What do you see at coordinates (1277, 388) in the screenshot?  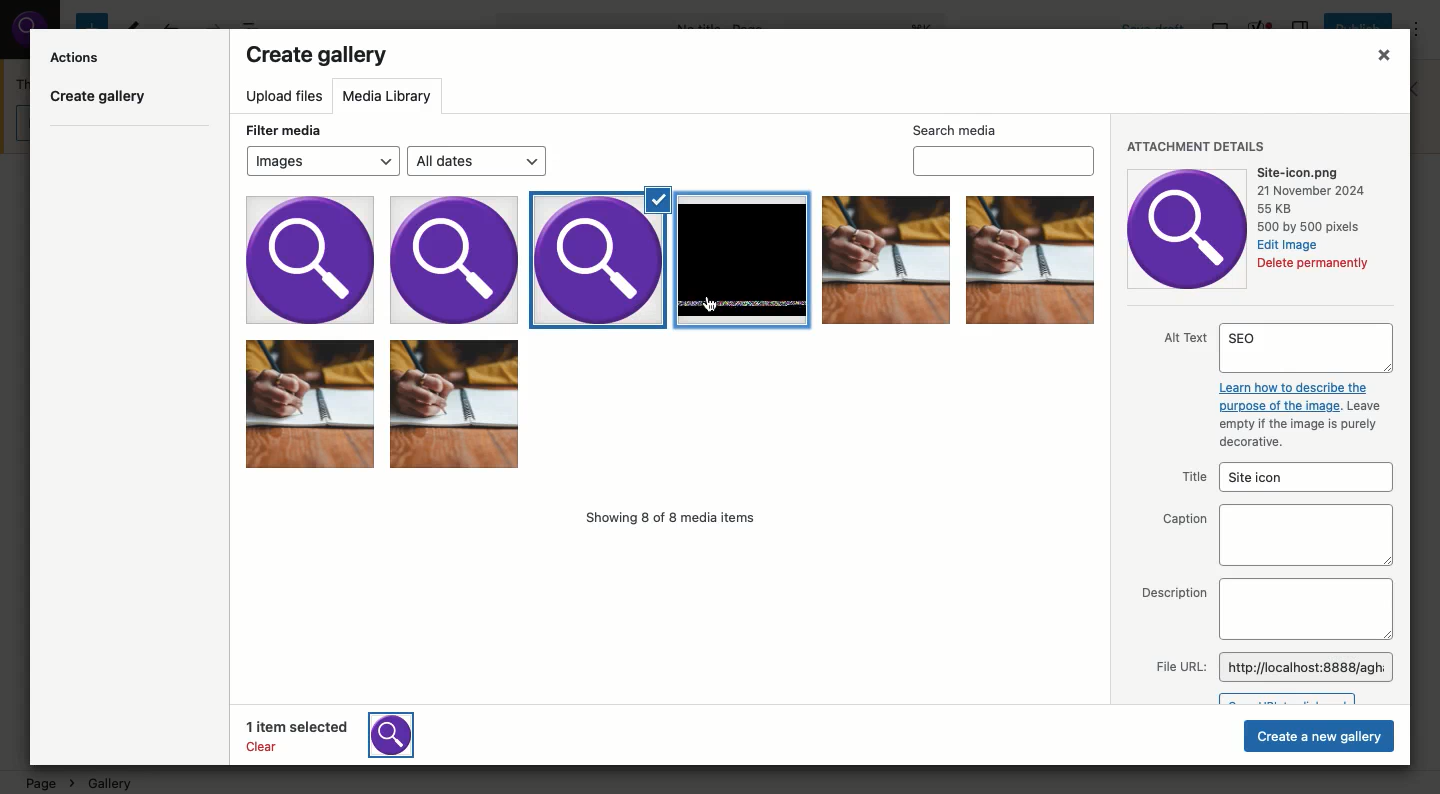 I see `Alt text` at bounding box center [1277, 388].